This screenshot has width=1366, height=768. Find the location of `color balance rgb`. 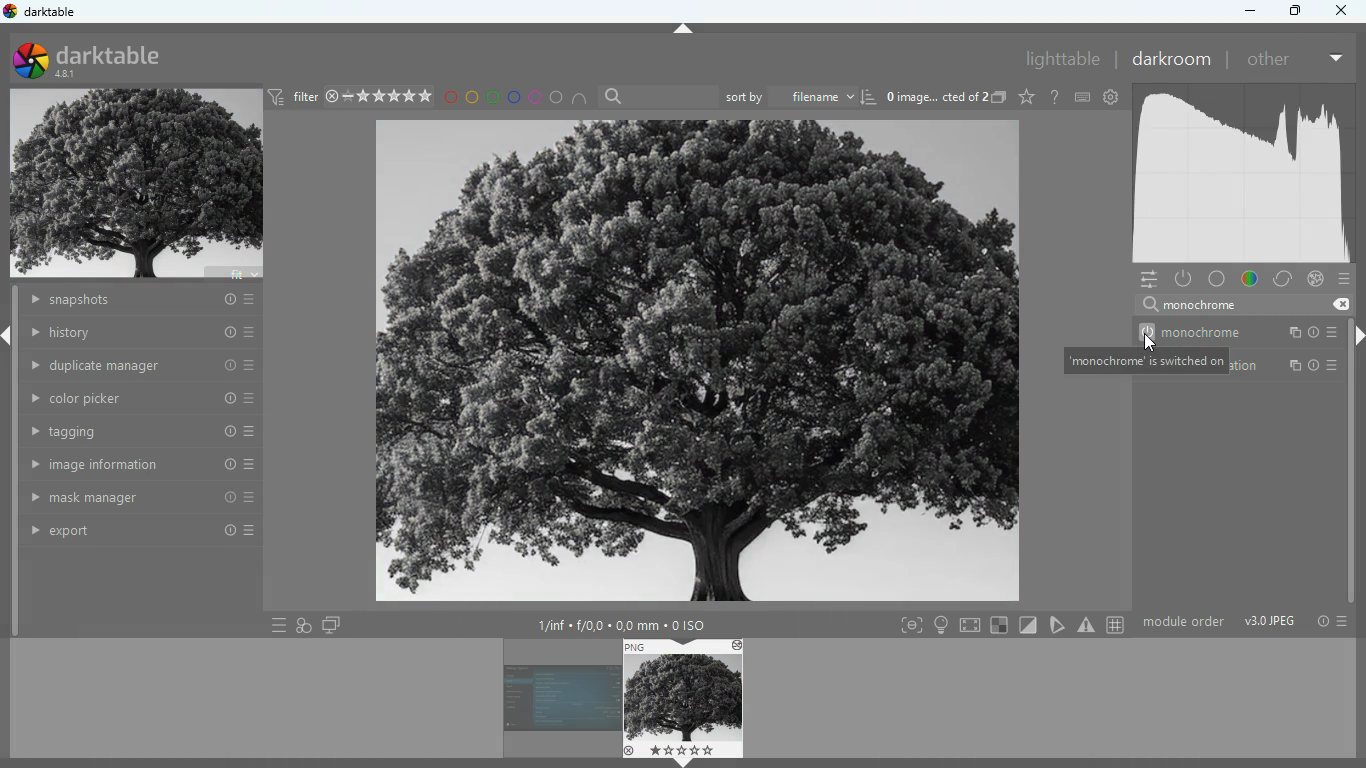

color balance rgb is located at coordinates (1292, 364).